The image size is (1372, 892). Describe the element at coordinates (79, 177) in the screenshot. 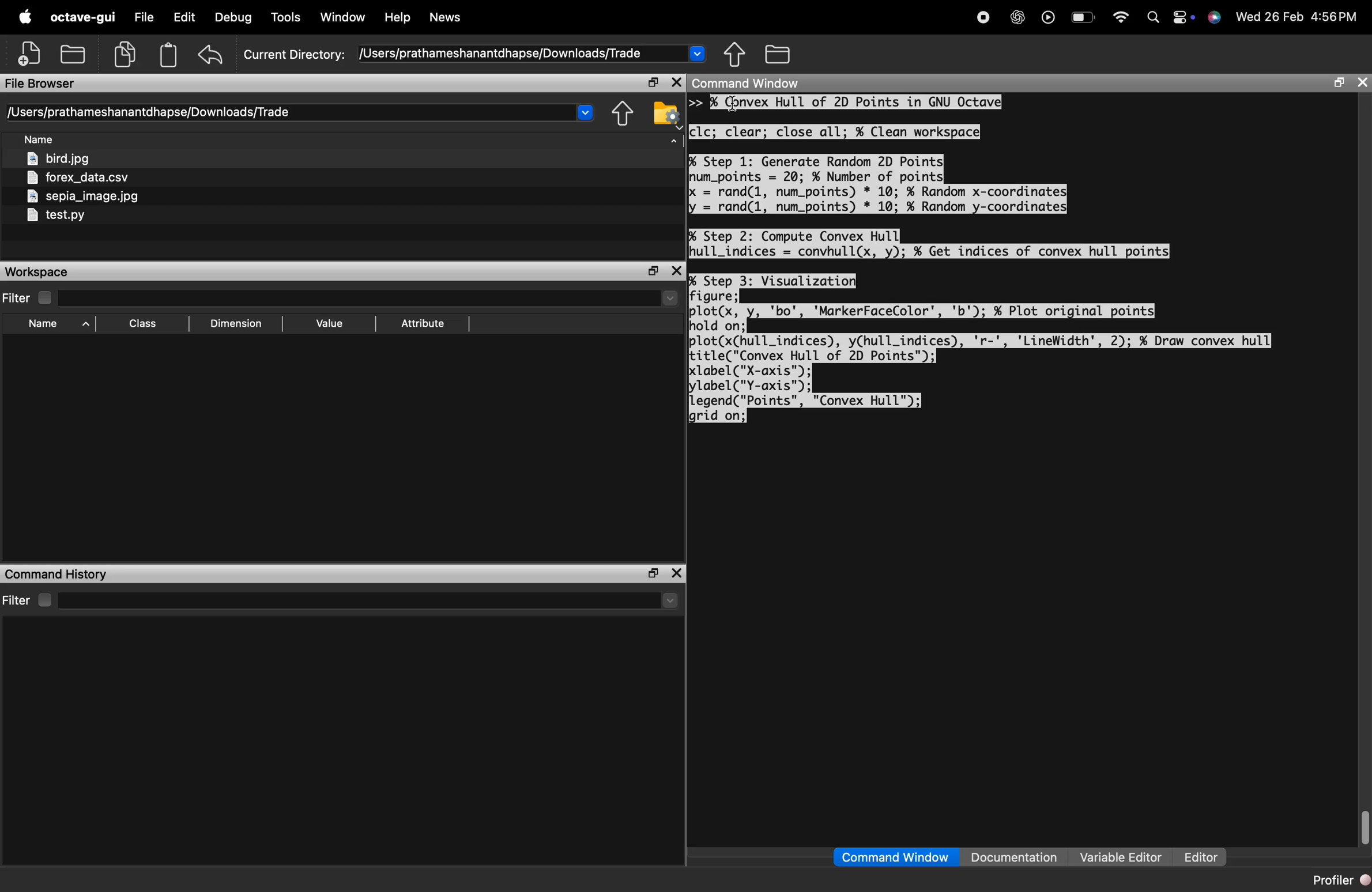

I see `forex_data.csv` at that location.